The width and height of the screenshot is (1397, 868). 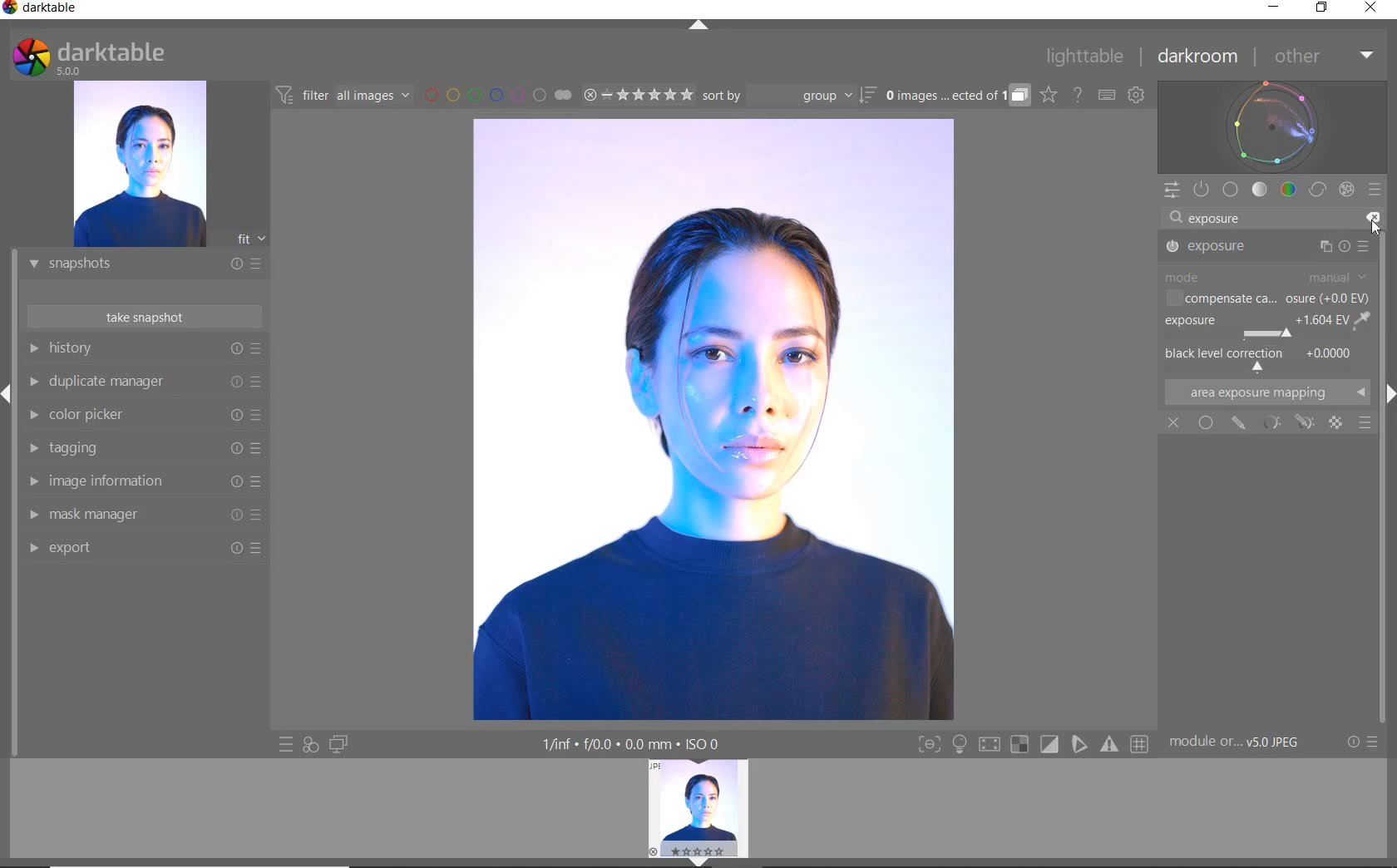 I want to click on RESTORE, so click(x=1325, y=8).